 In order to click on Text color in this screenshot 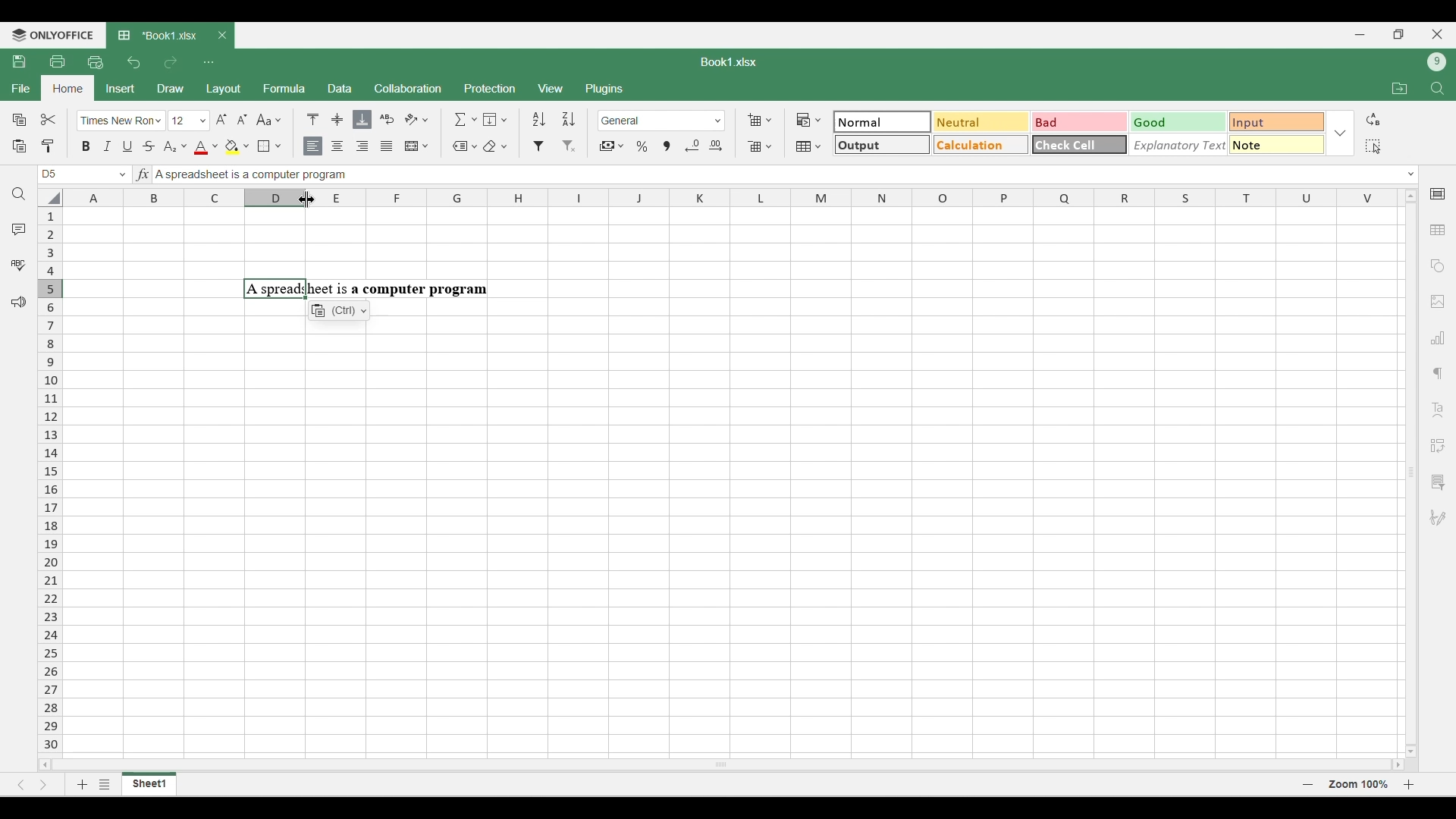, I will do `click(206, 148)`.